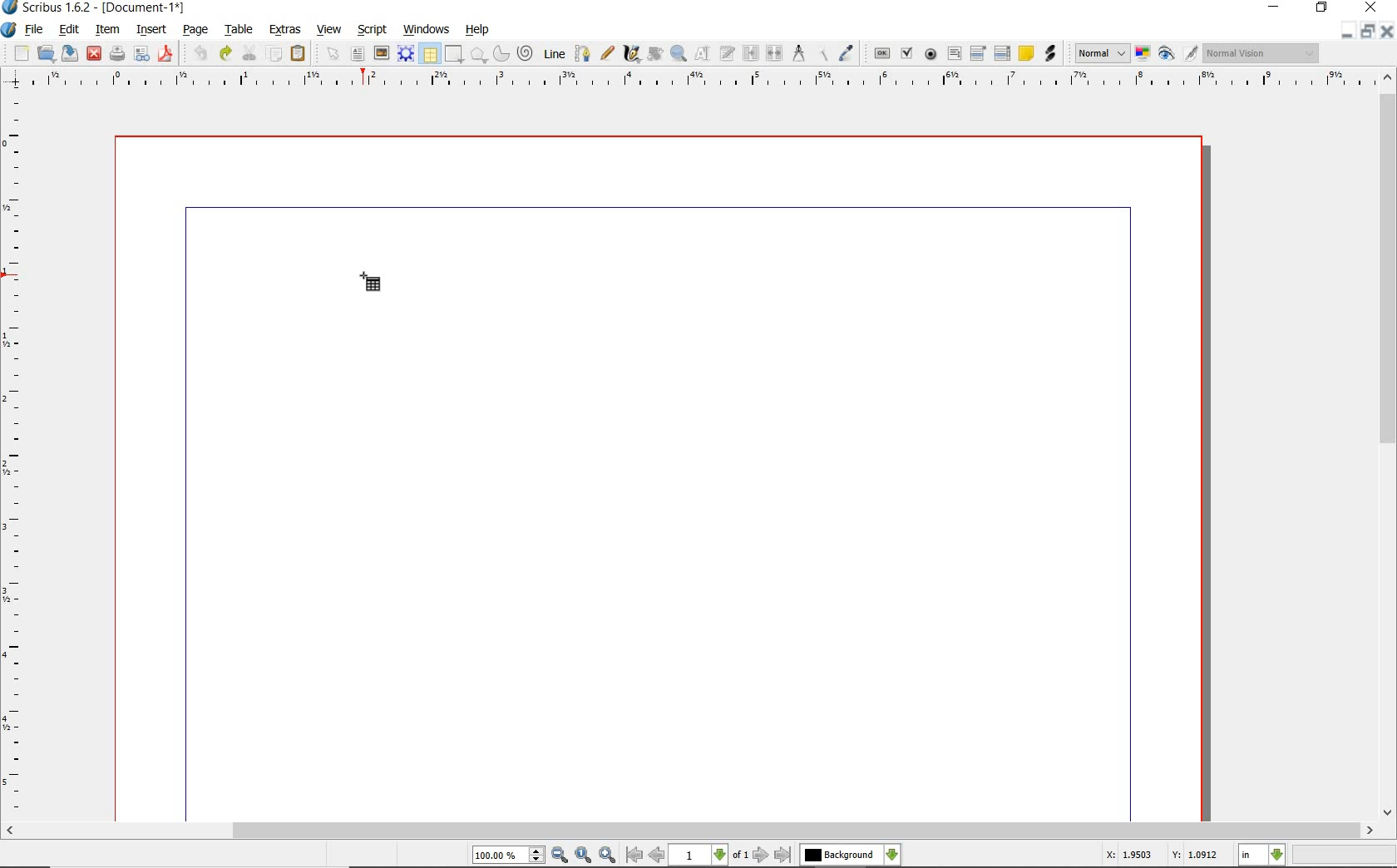  What do you see at coordinates (1161, 856) in the screenshot?
I see `X: 1.9503 Y: 1.0912` at bounding box center [1161, 856].